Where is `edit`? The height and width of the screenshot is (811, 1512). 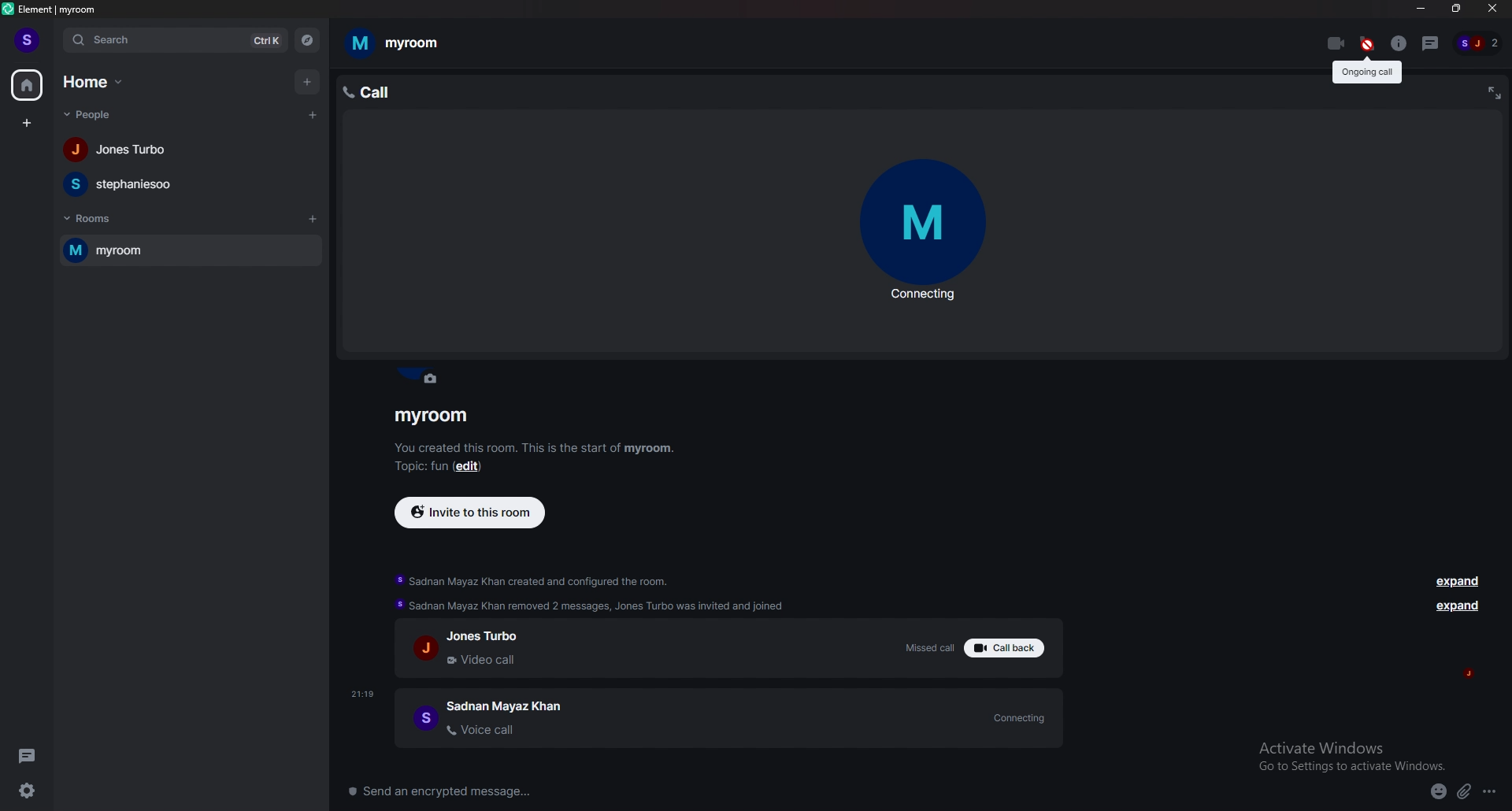 edit is located at coordinates (477, 467).